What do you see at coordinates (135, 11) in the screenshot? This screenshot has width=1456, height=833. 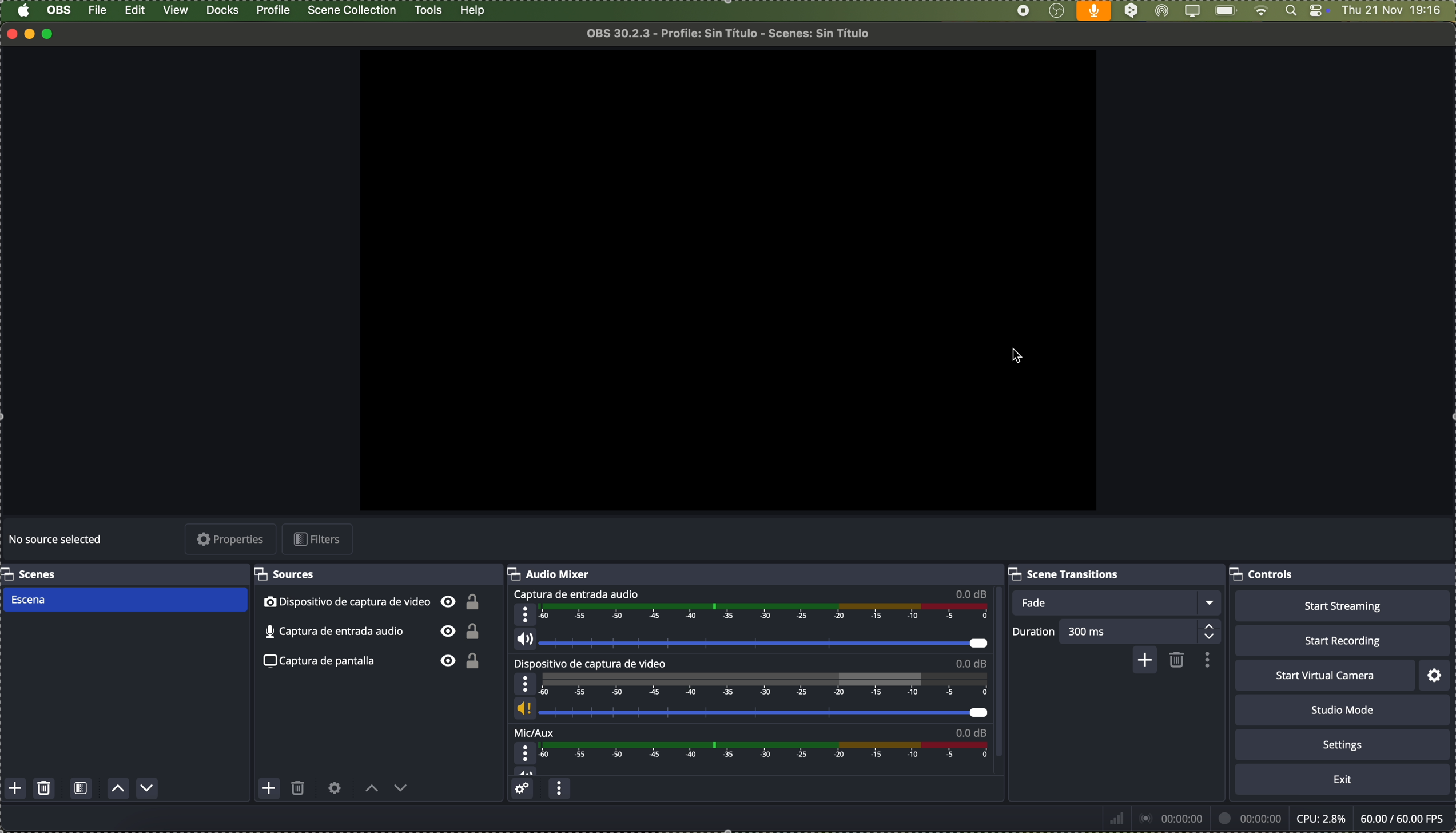 I see `edit` at bounding box center [135, 11].